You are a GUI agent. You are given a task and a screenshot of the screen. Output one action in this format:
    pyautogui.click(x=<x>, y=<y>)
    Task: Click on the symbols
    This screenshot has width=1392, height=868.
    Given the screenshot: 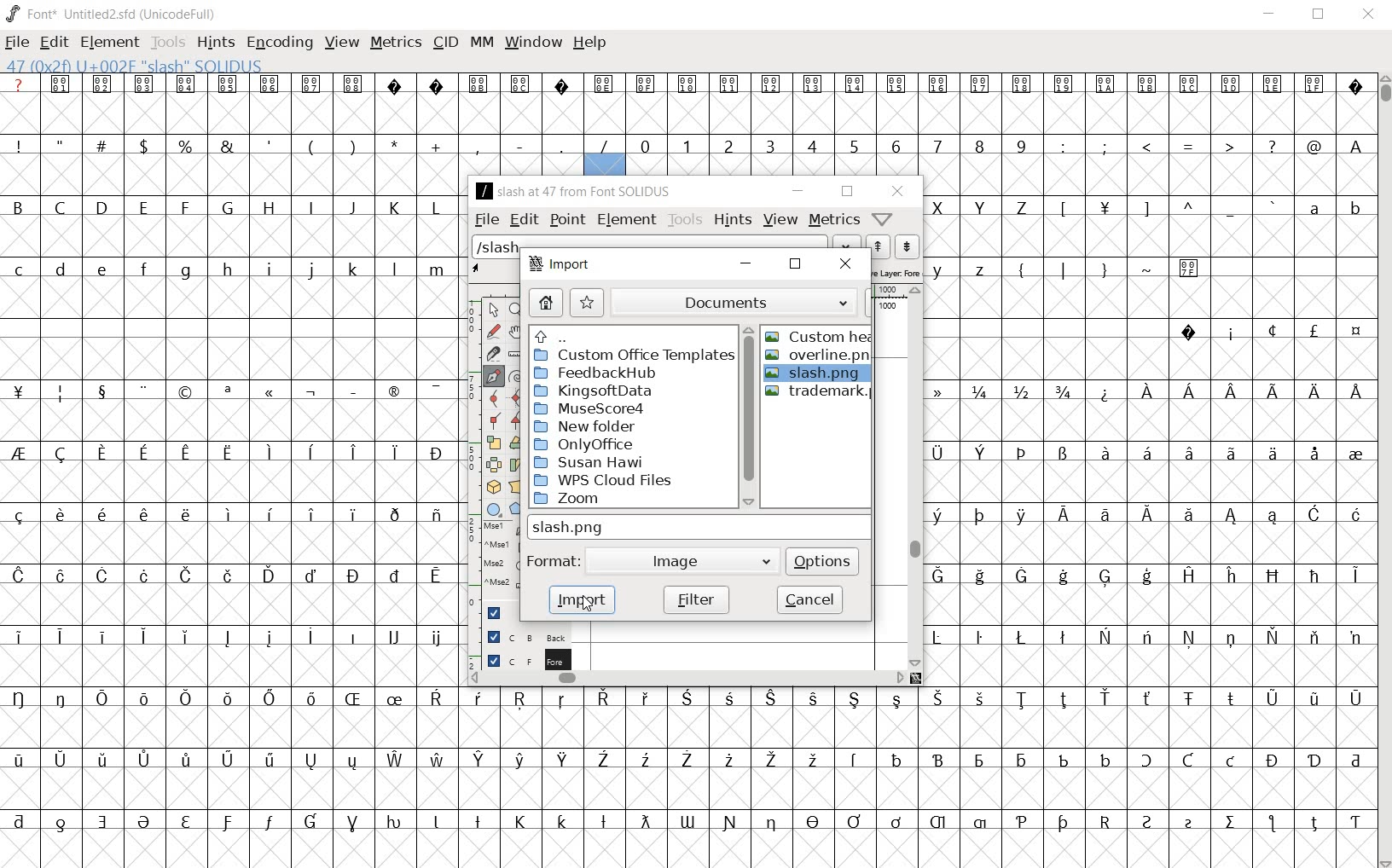 What is the action you would take?
    pyautogui.click(x=1106, y=267)
    